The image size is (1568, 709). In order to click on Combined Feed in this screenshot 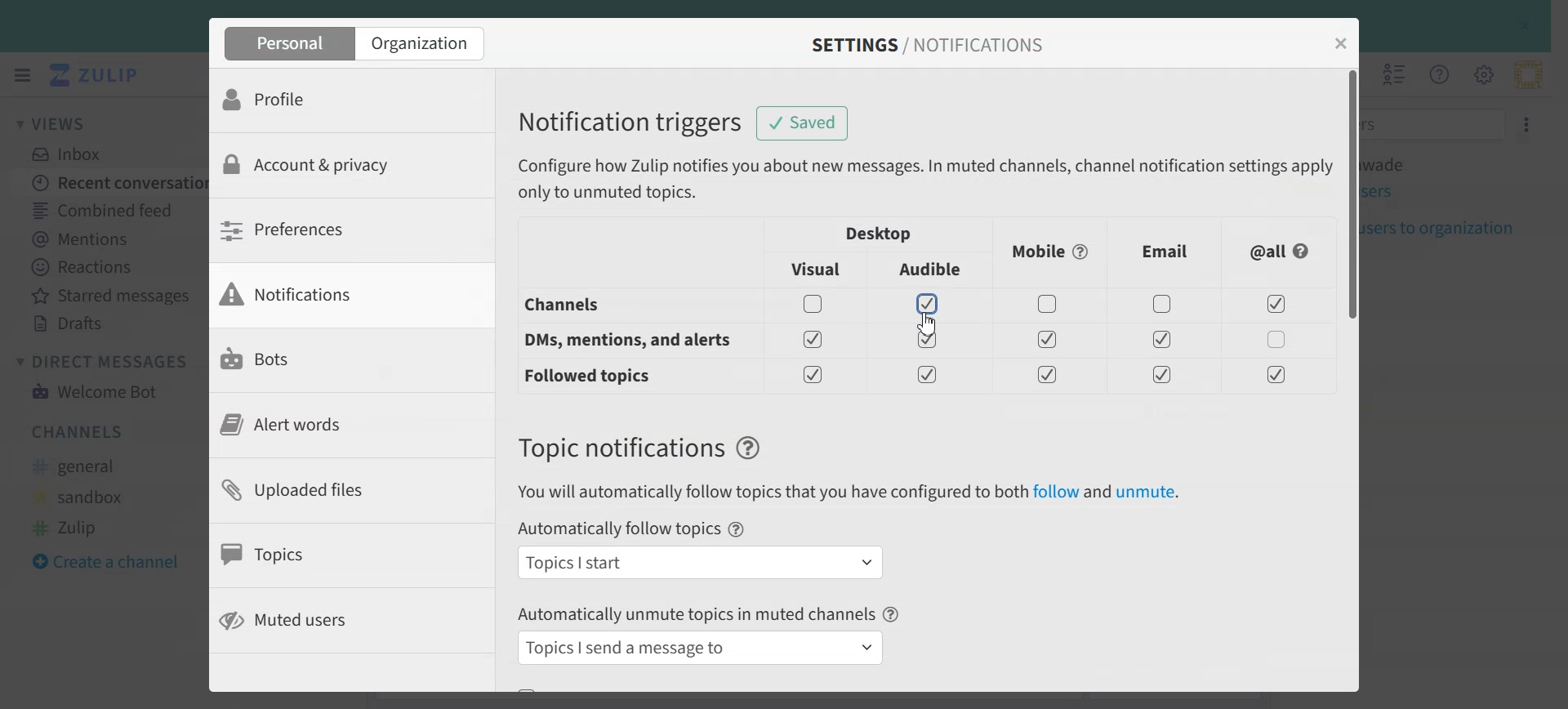, I will do `click(107, 209)`.